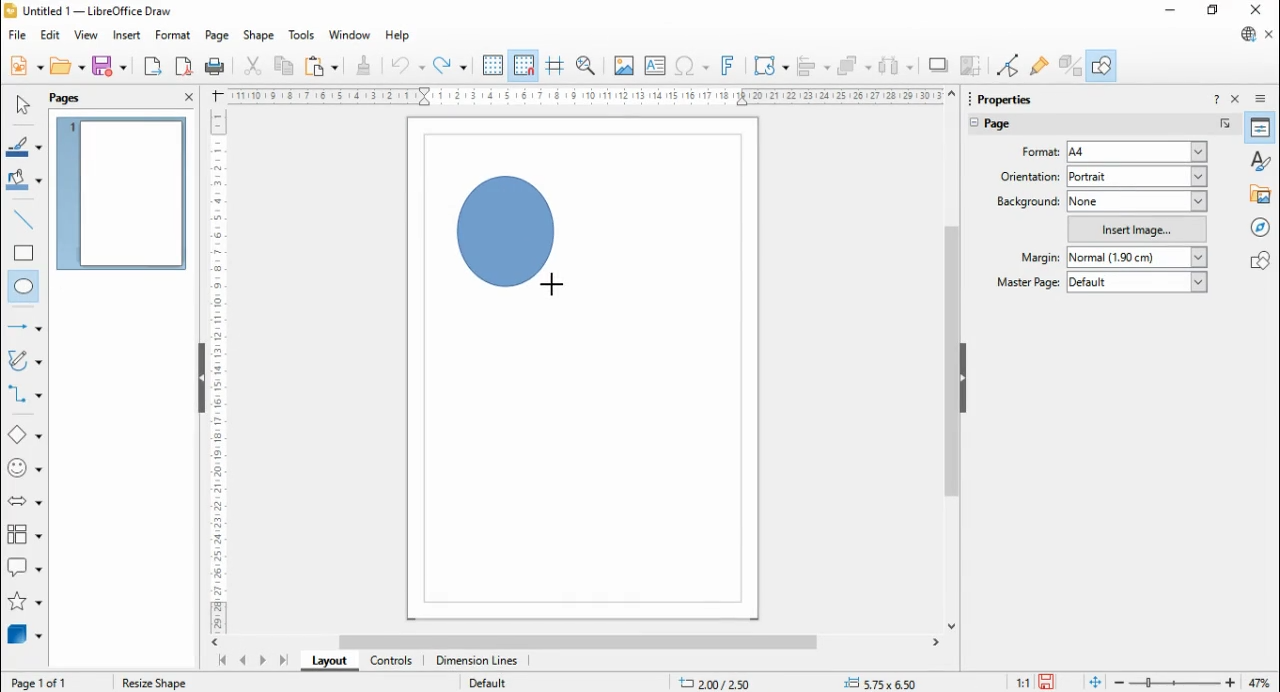 This screenshot has width=1280, height=692. I want to click on callout shapes, so click(26, 570).